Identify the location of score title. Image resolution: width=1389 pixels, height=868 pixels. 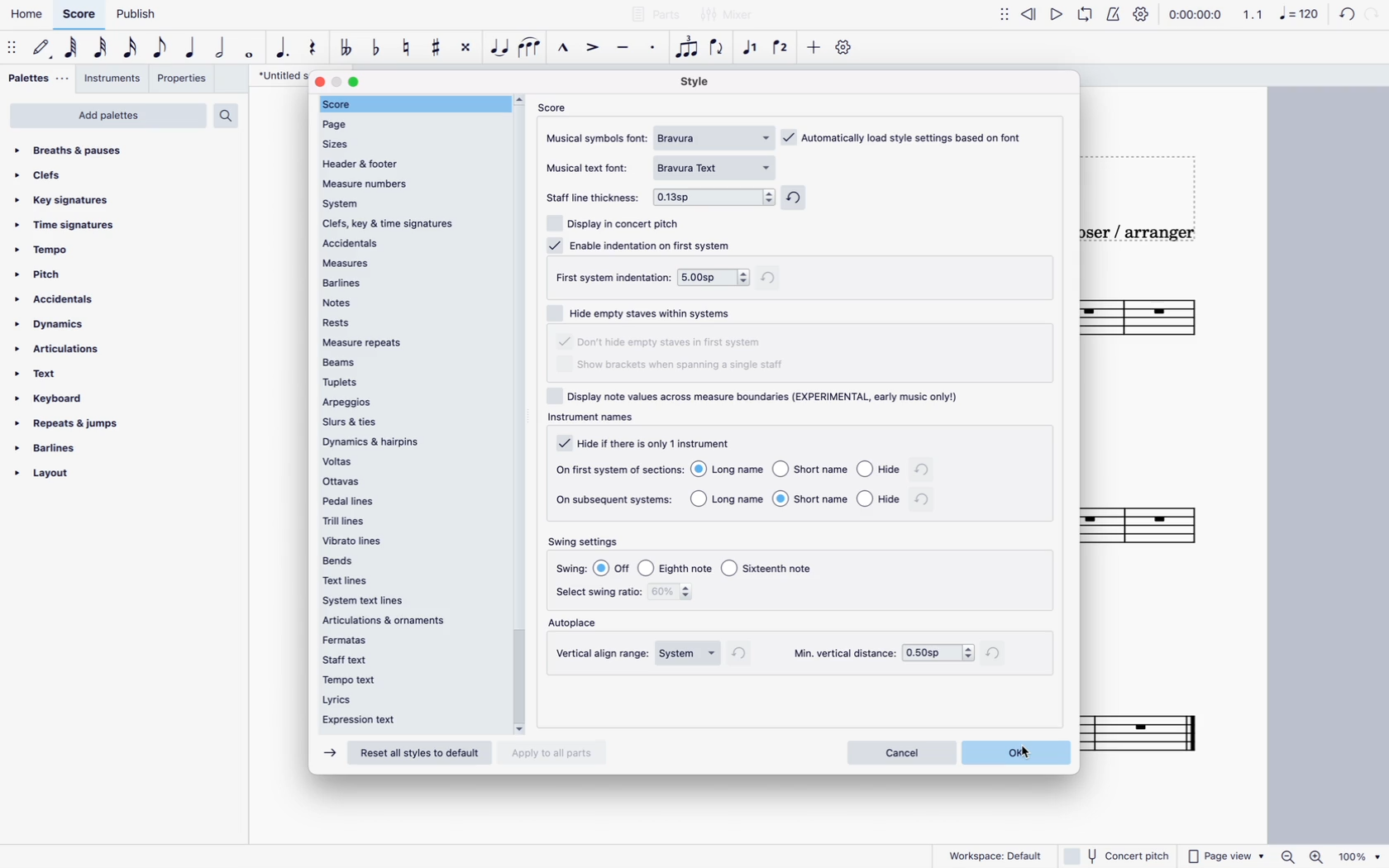
(279, 76).